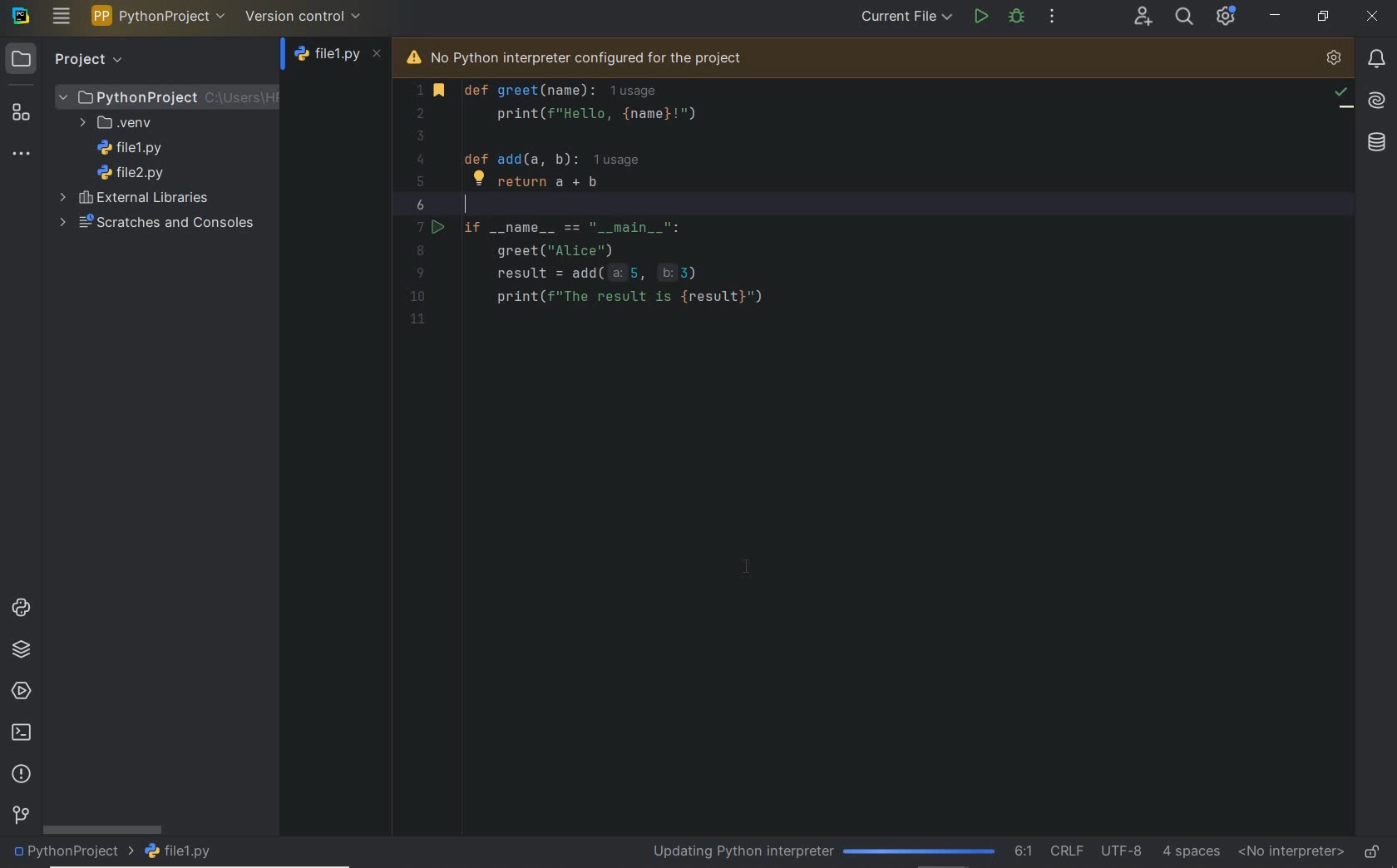 This screenshot has width=1397, height=868. What do you see at coordinates (1227, 18) in the screenshot?
I see `Ide and Project Settings` at bounding box center [1227, 18].